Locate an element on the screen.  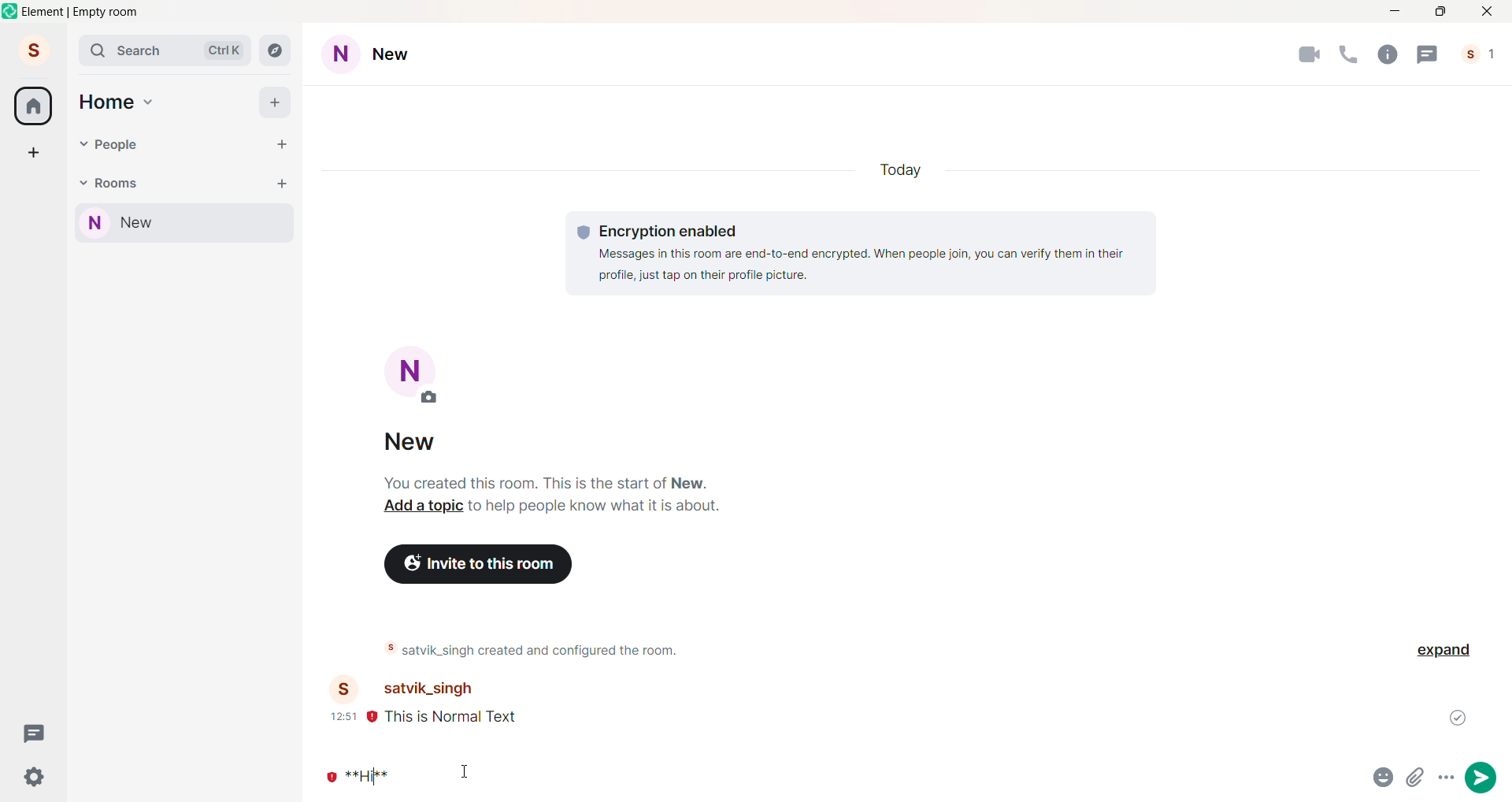
Message sent is located at coordinates (1459, 717).